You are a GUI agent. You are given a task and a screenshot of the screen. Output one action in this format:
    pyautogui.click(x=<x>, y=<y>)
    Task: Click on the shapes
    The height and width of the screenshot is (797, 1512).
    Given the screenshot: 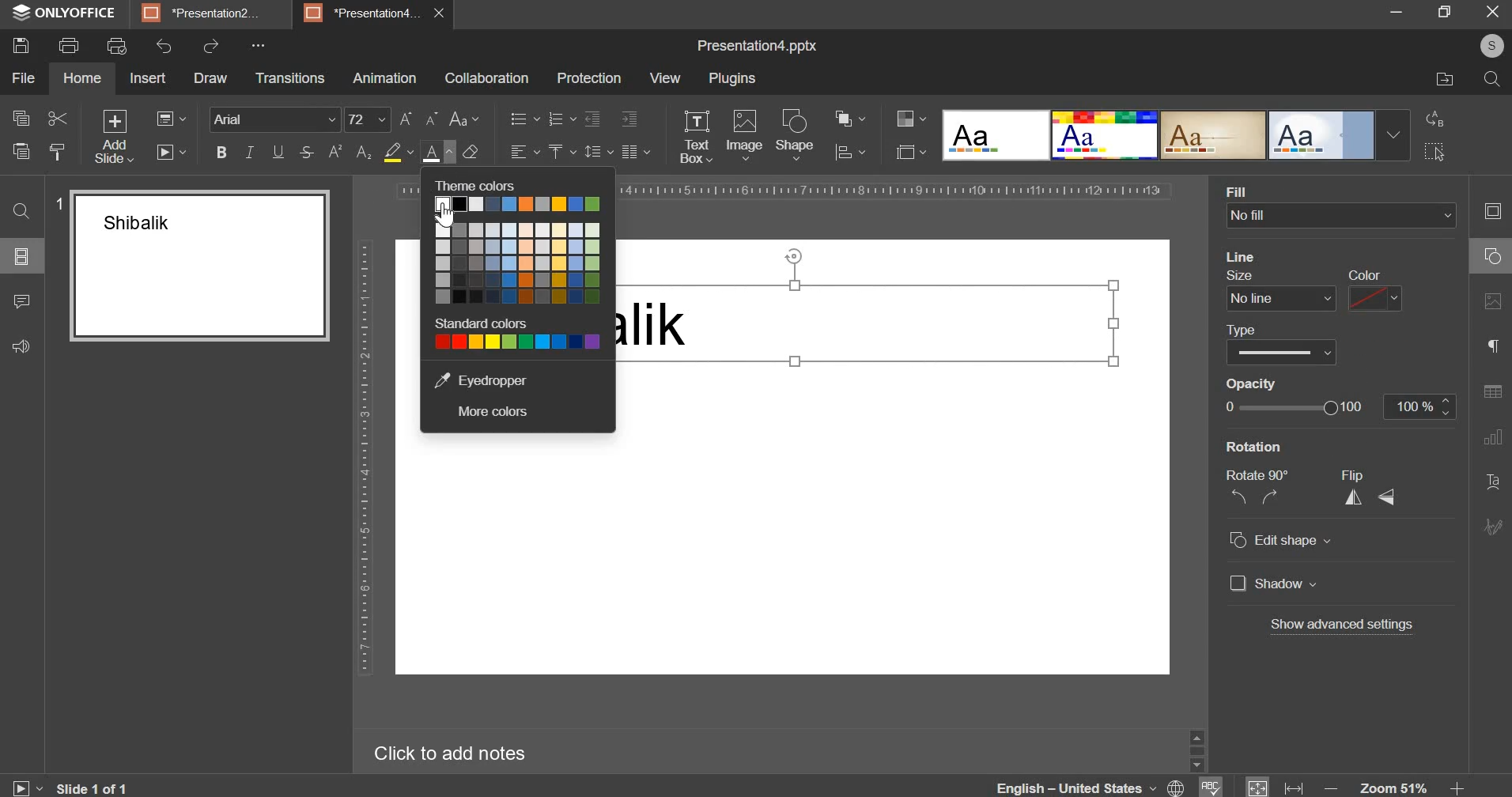 What is the action you would take?
    pyautogui.click(x=1487, y=260)
    